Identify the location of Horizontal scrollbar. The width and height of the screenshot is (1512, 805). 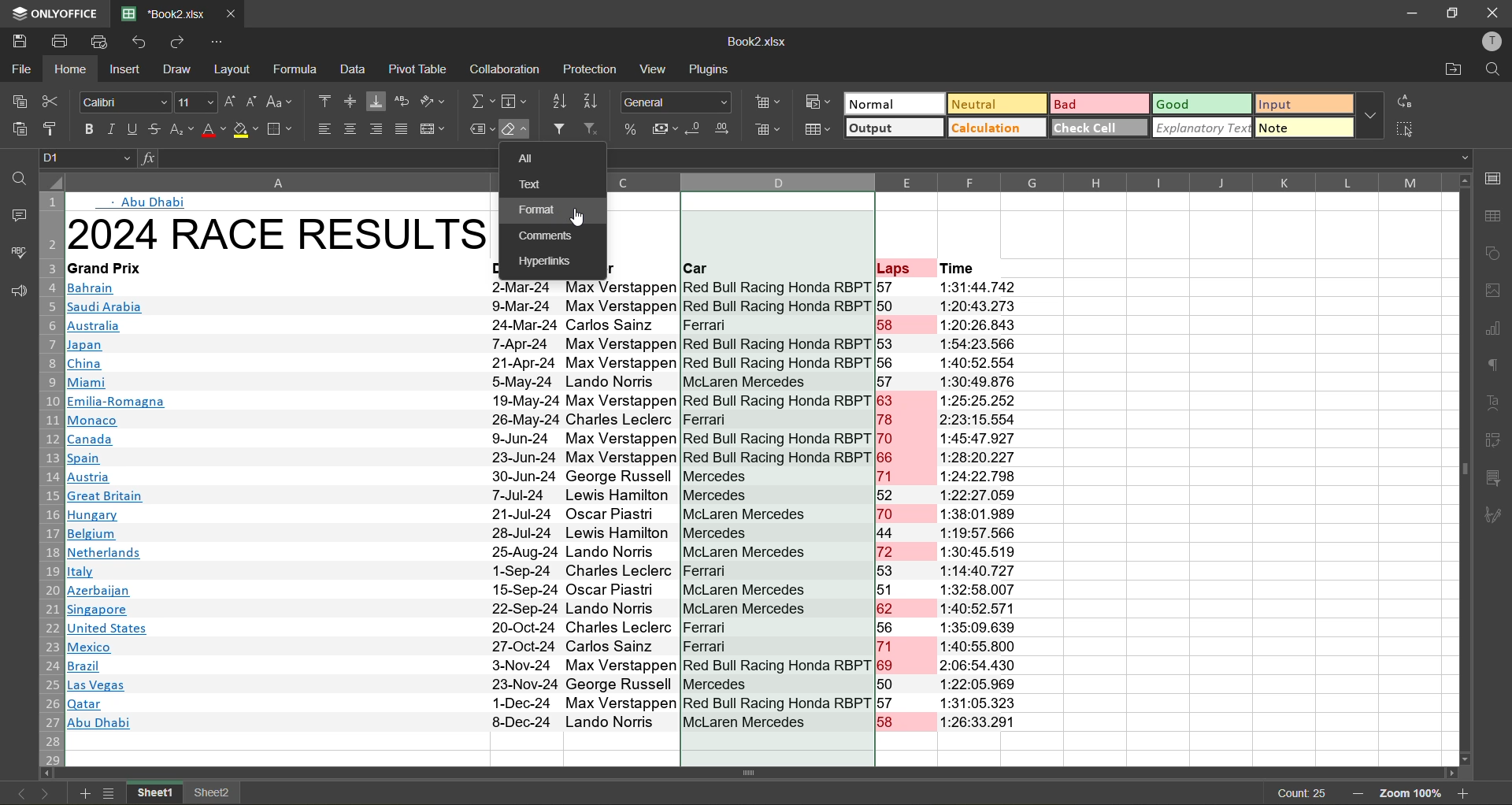
(755, 773).